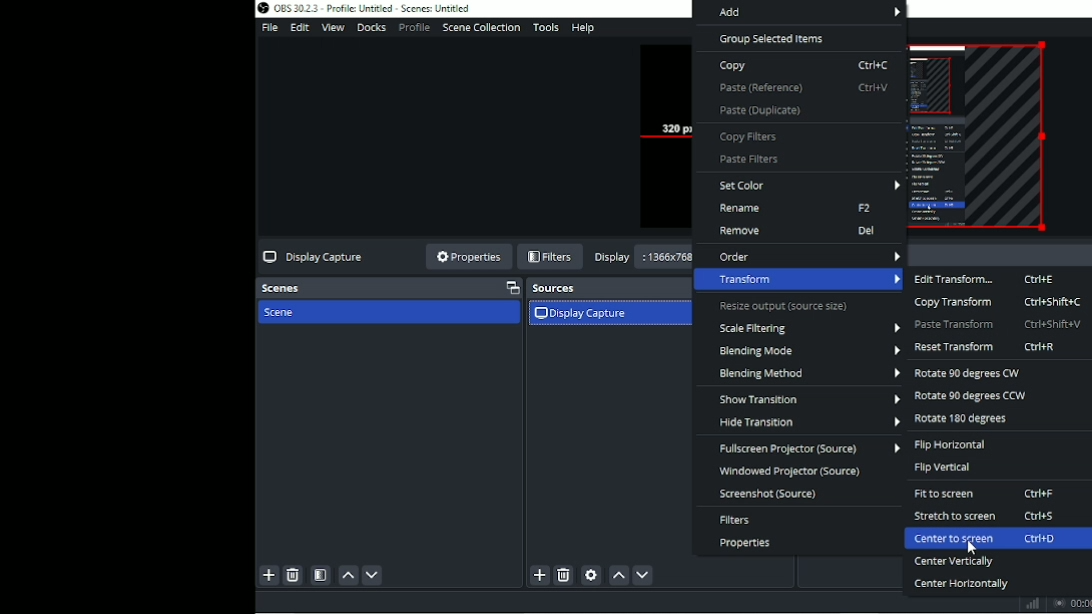 This screenshot has height=614, width=1092. I want to click on Center vertically, so click(955, 562).